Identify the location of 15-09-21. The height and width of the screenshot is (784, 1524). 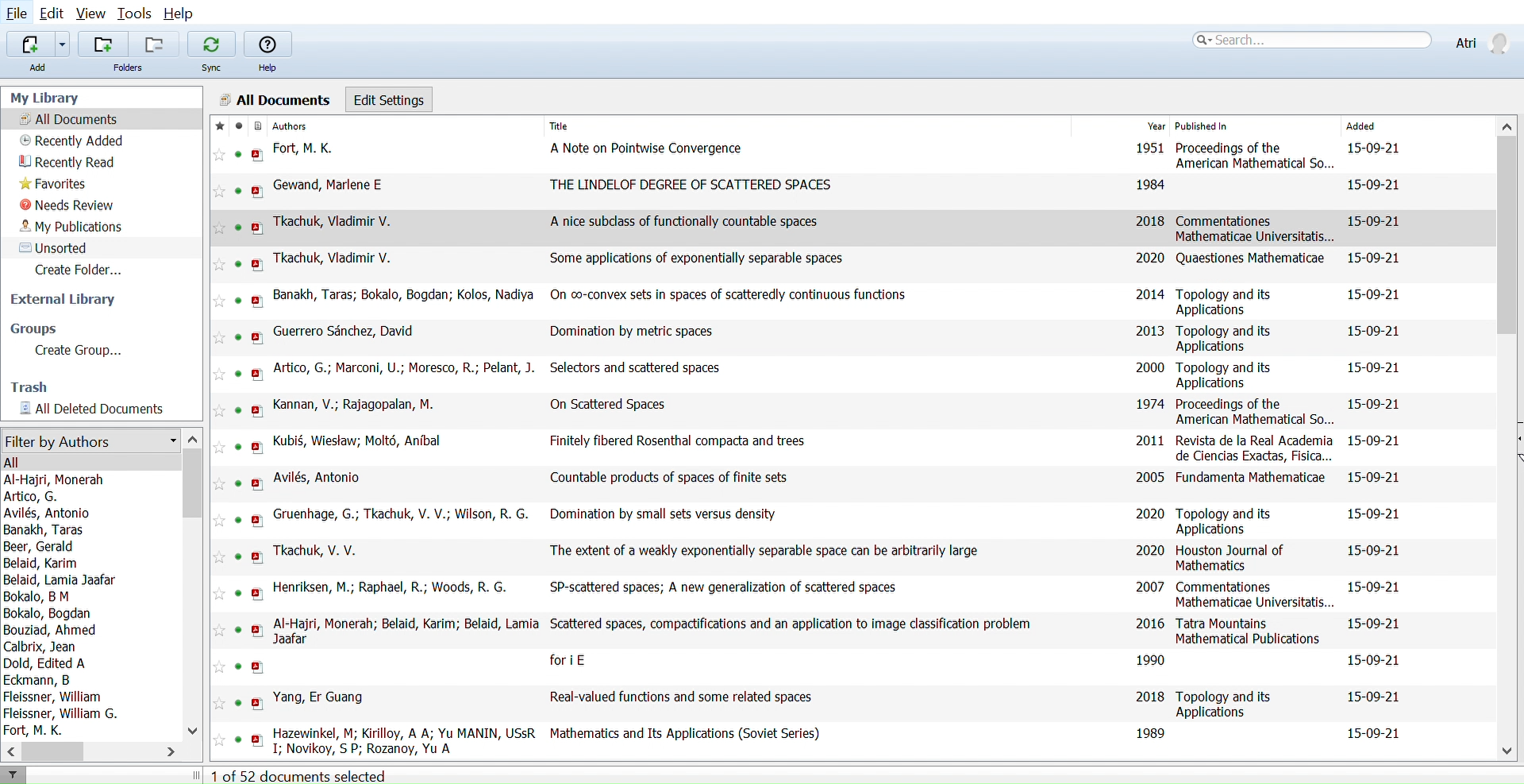
(1376, 183).